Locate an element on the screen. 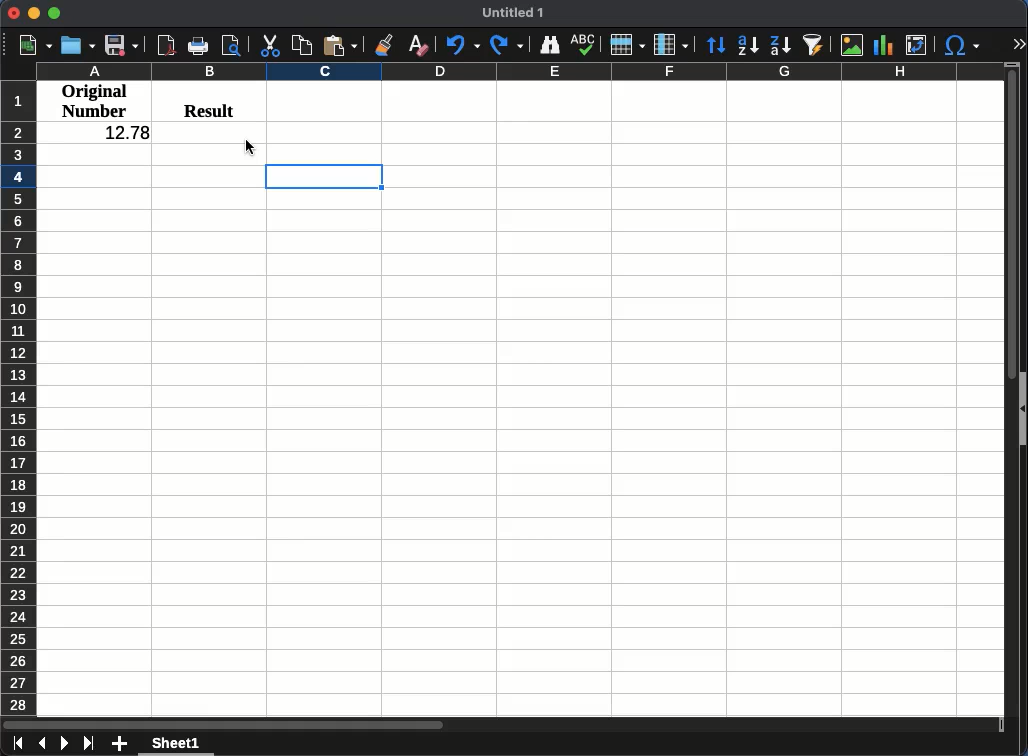 Image resolution: width=1028 pixels, height=756 pixels. paste is located at coordinates (339, 46).